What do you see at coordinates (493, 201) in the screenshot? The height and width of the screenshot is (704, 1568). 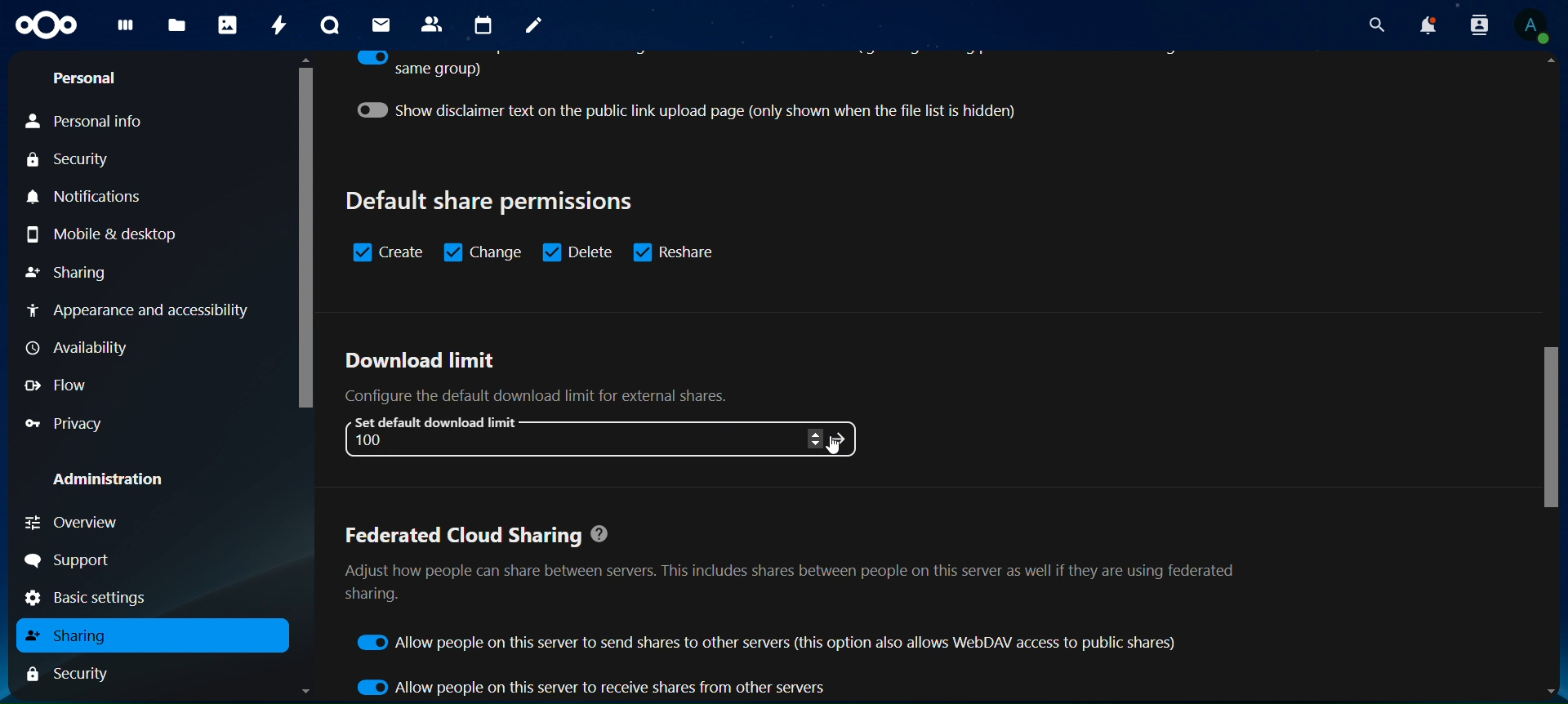 I see `default share permissions` at bounding box center [493, 201].